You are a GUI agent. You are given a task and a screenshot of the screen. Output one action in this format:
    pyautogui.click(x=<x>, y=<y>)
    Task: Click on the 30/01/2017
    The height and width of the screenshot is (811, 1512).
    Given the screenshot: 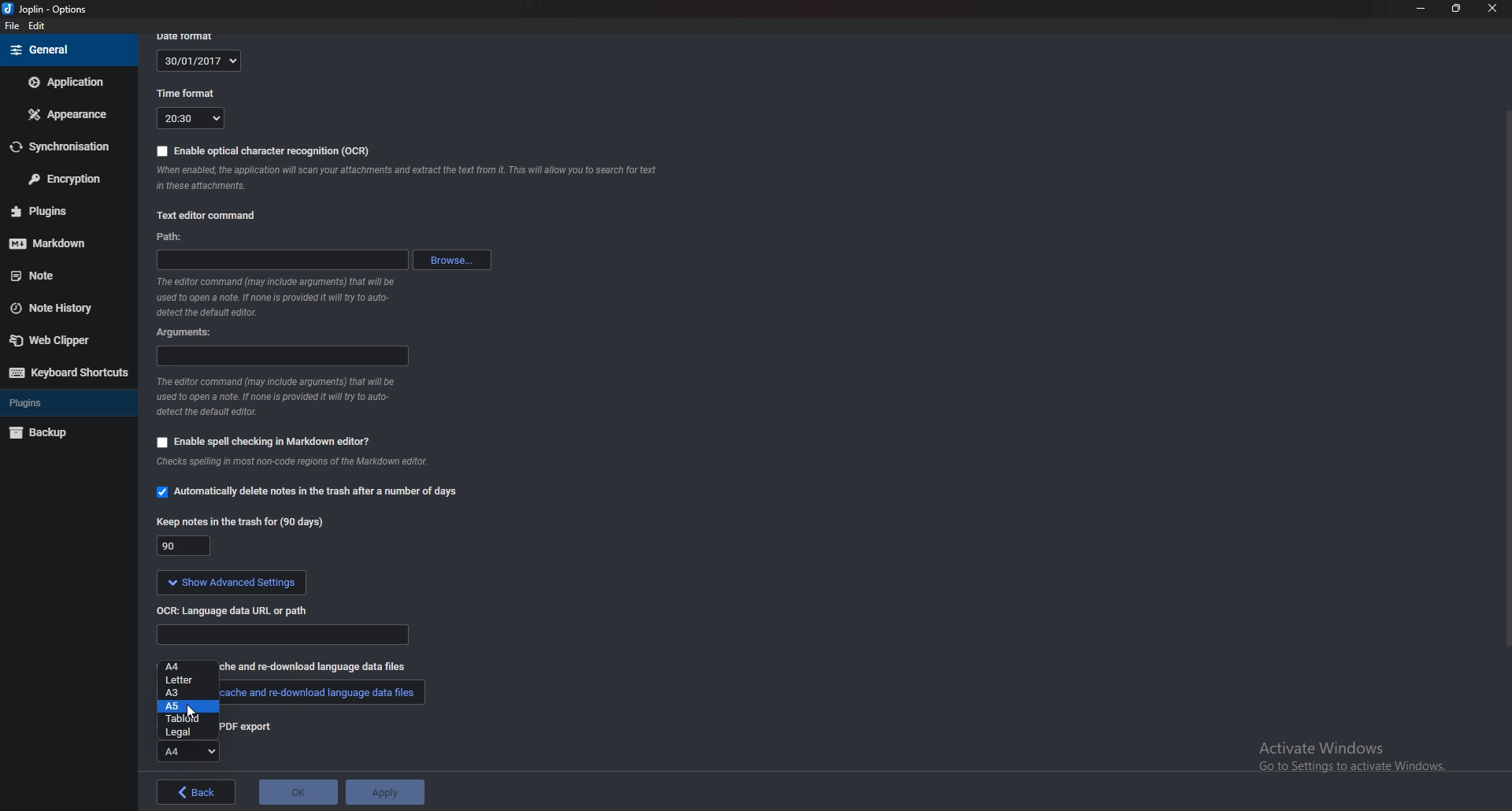 What is the action you would take?
    pyautogui.click(x=198, y=61)
    